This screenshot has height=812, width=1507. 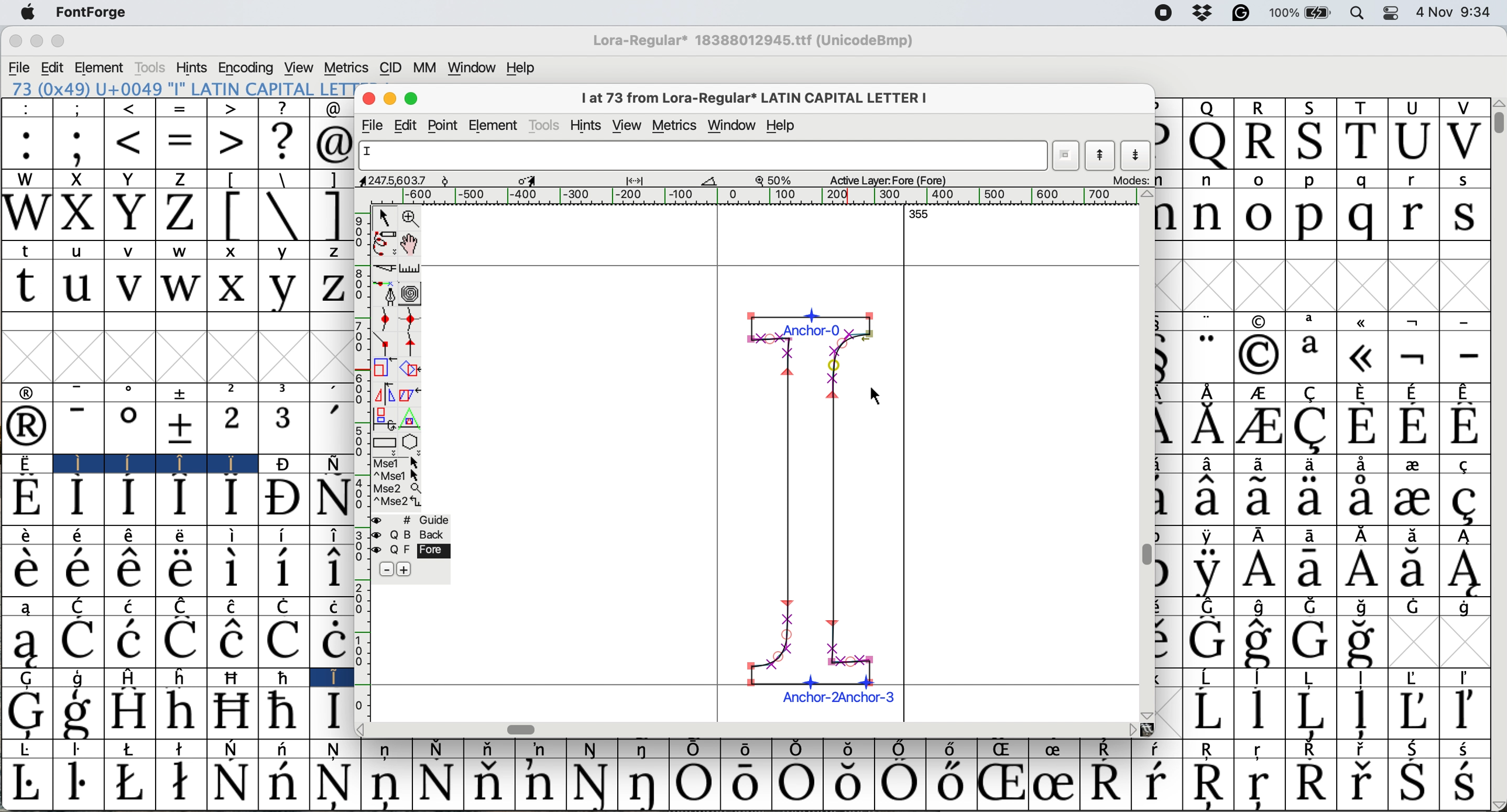 What do you see at coordinates (29, 679) in the screenshot?
I see `G` at bounding box center [29, 679].